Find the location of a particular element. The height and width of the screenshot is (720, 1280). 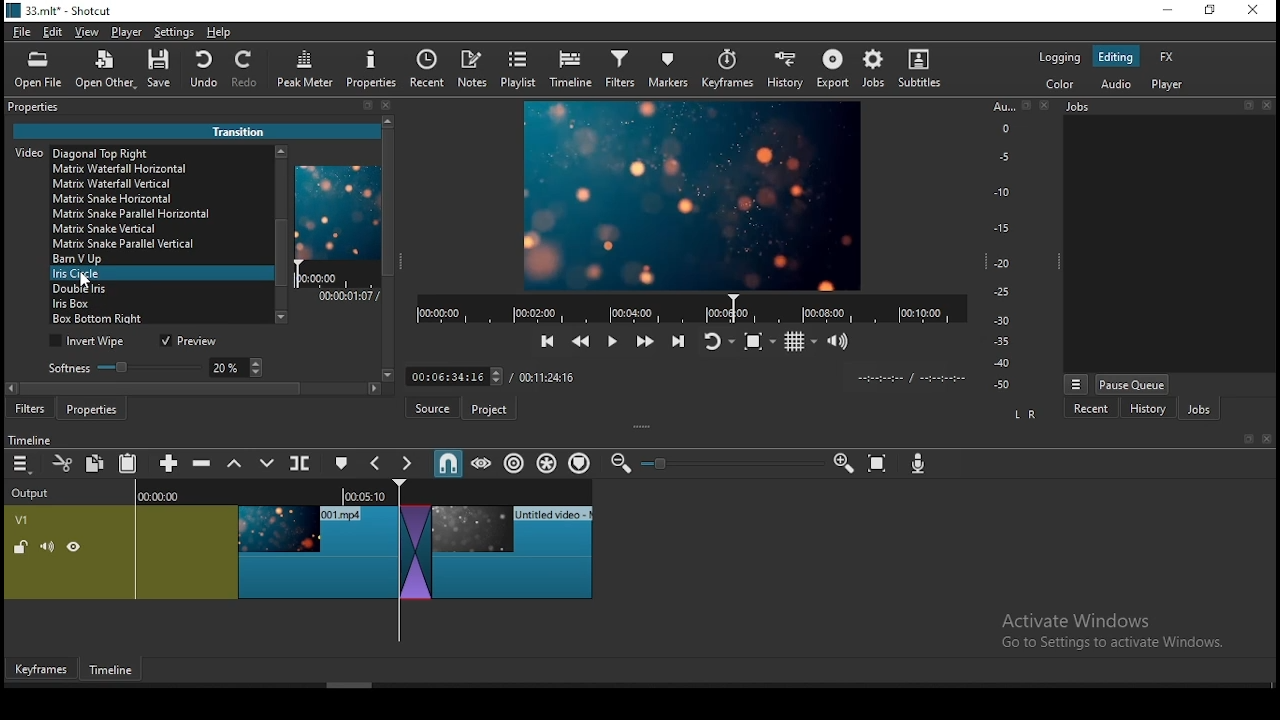

keyframes is located at coordinates (727, 70).